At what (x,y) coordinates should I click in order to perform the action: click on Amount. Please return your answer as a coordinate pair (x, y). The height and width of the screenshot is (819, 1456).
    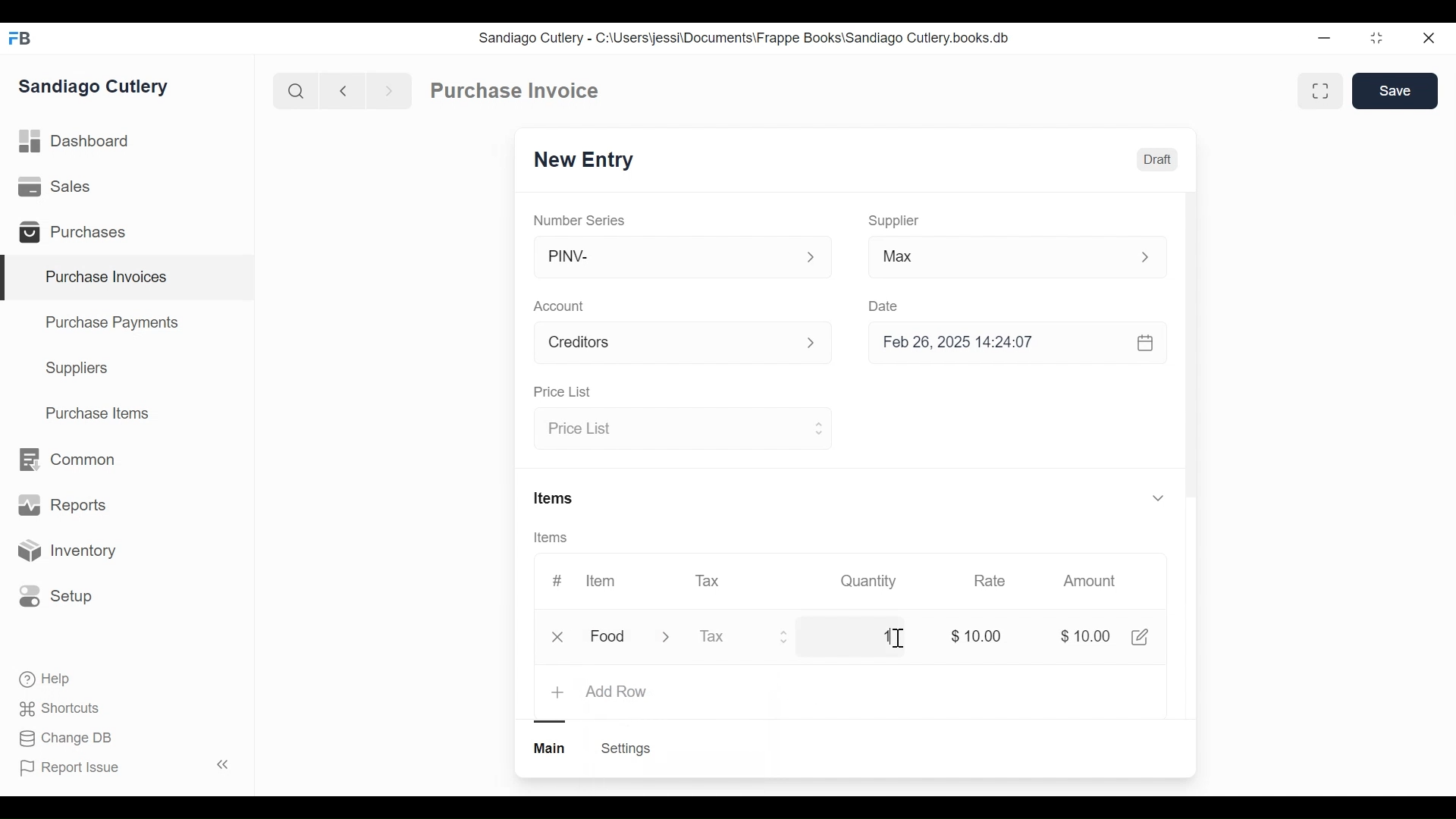
    Looking at the image, I should click on (1093, 582).